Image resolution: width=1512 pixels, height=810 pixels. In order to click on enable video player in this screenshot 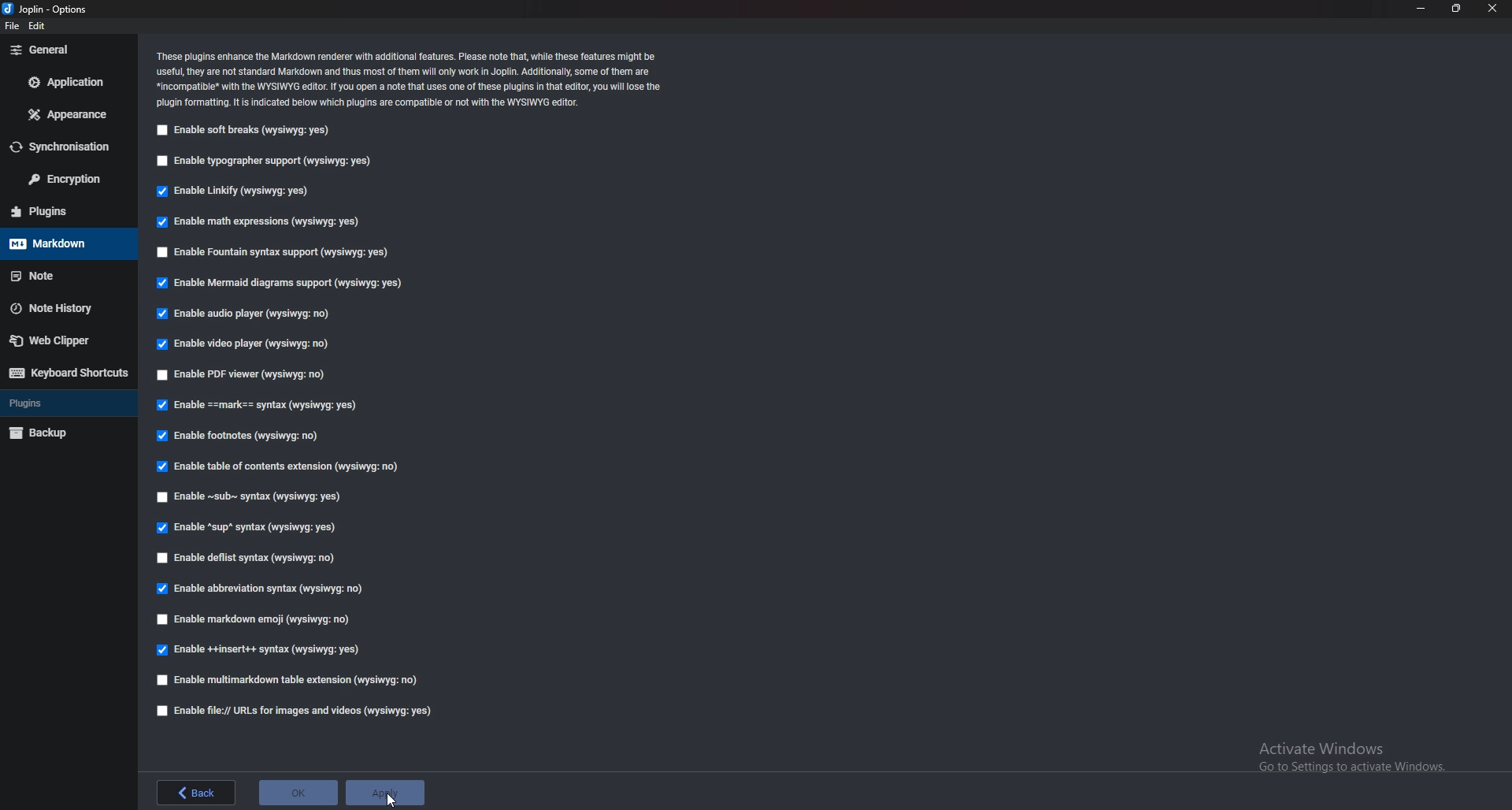, I will do `click(241, 346)`.